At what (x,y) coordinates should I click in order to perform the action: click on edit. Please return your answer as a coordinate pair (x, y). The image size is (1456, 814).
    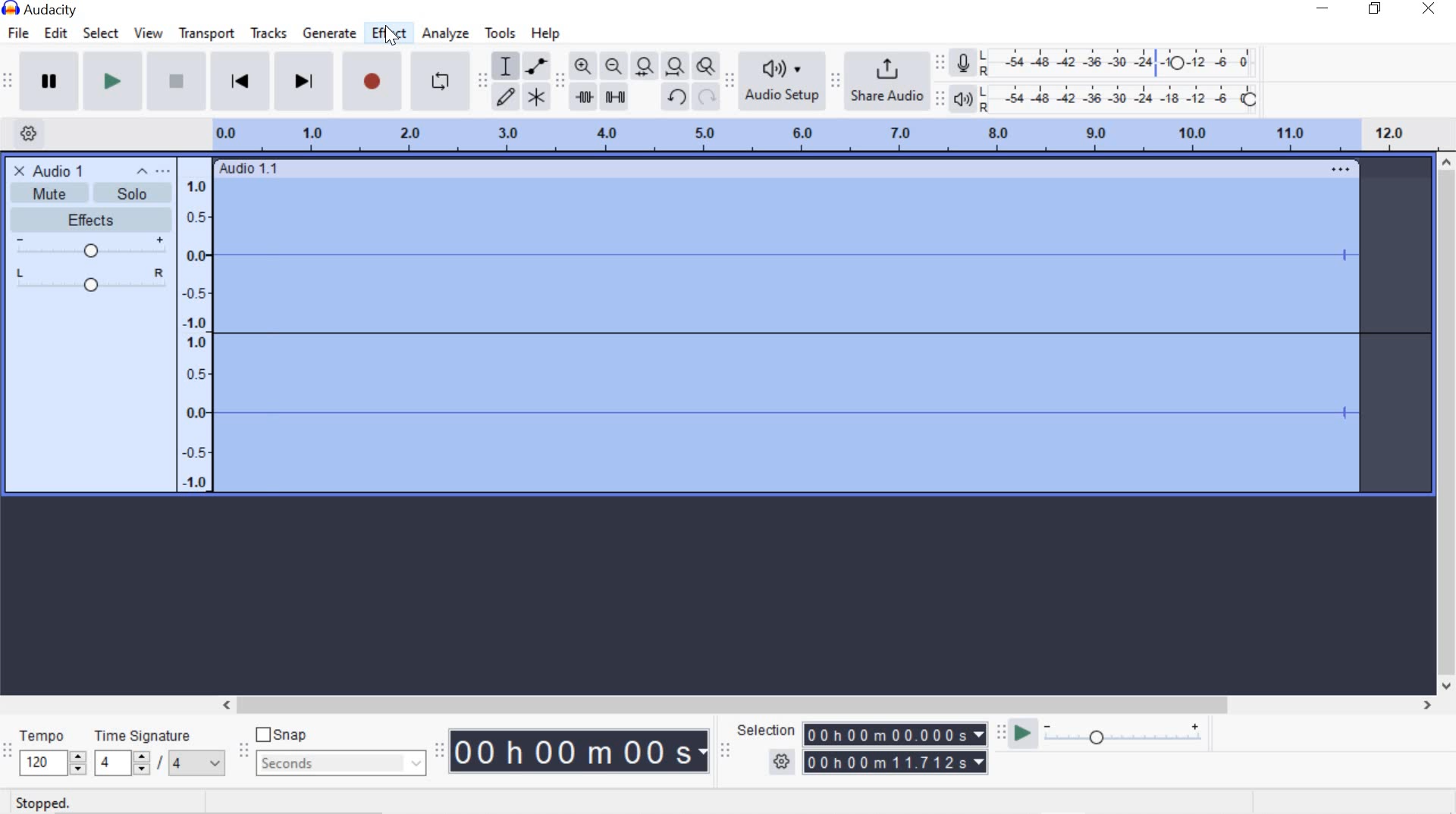
    Looking at the image, I should click on (55, 33).